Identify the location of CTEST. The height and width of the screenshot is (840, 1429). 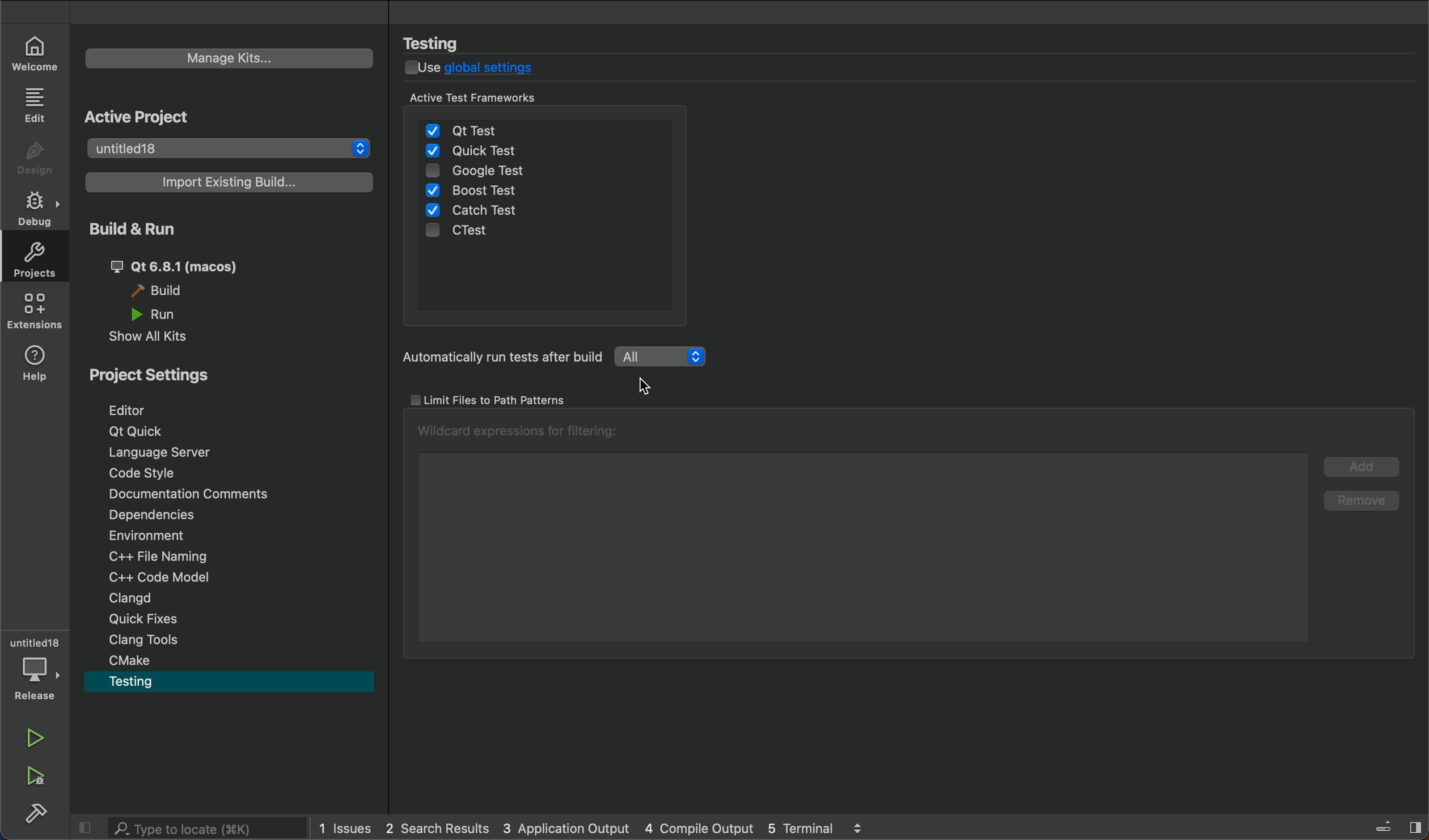
(469, 233).